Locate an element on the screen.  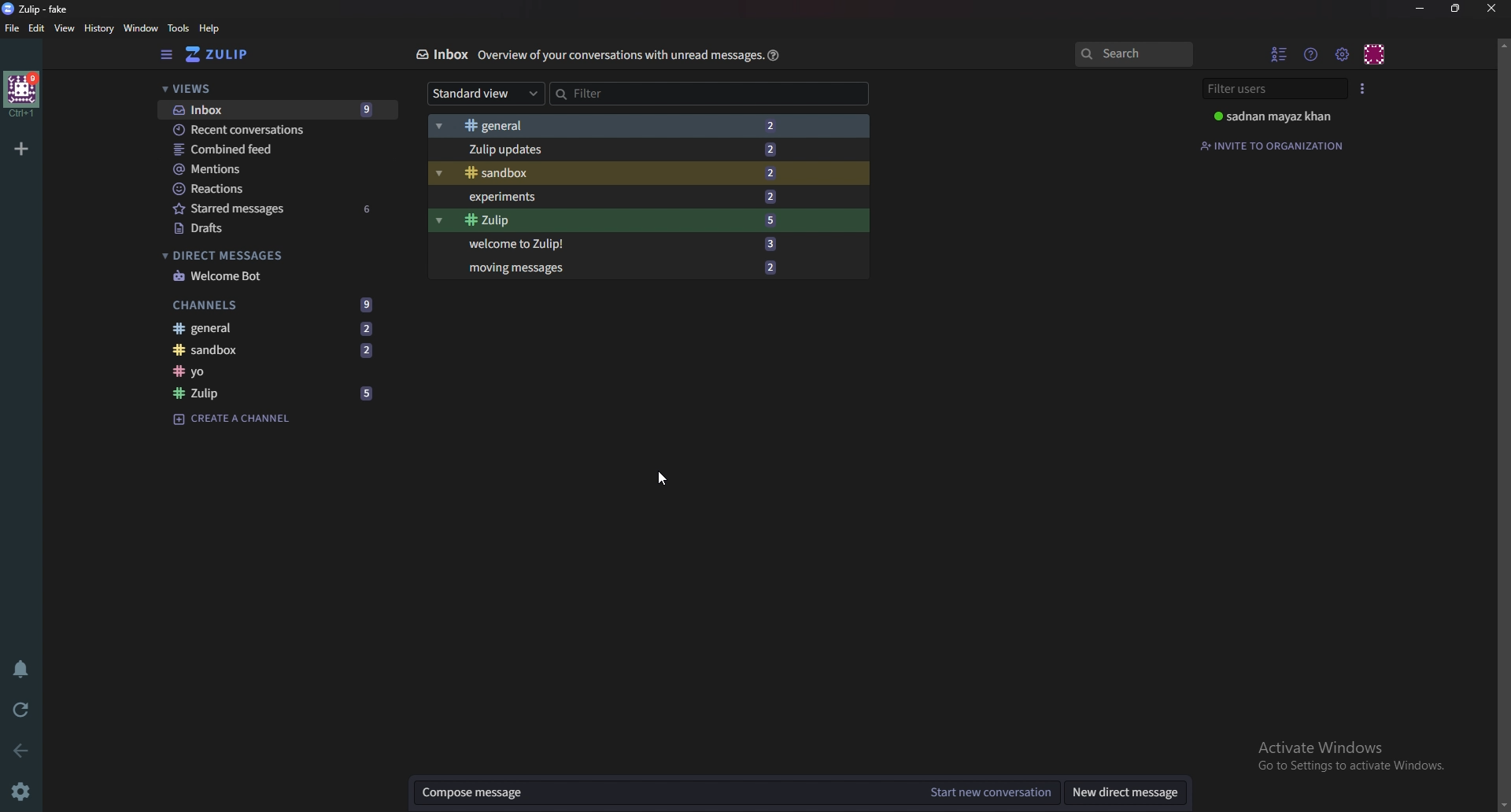
Zulip is located at coordinates (623, 221).